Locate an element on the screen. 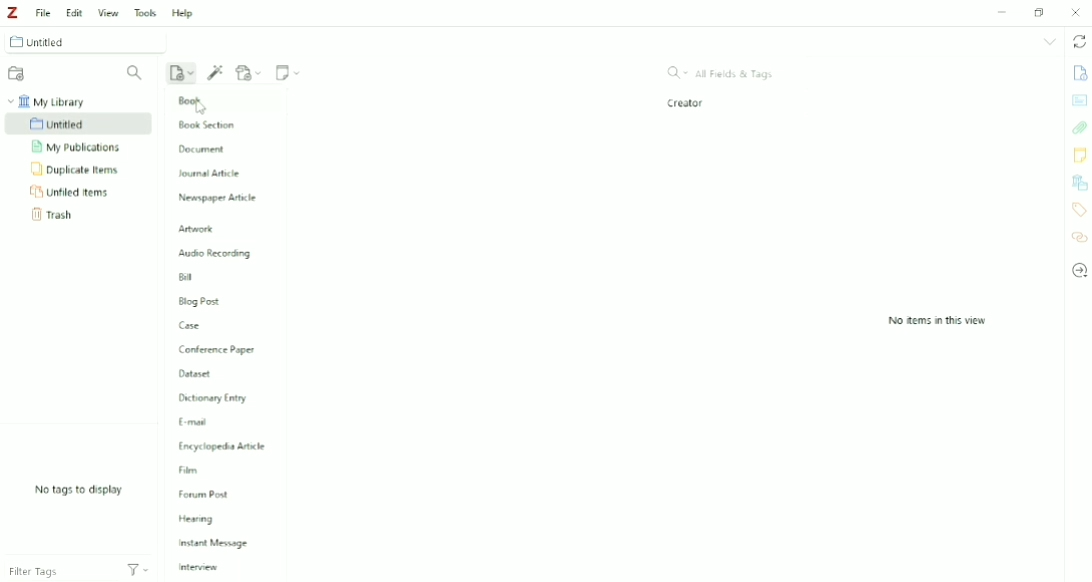 This screenshot has width=1092, height=582. Abstract is located at coordinates (1079, 100).